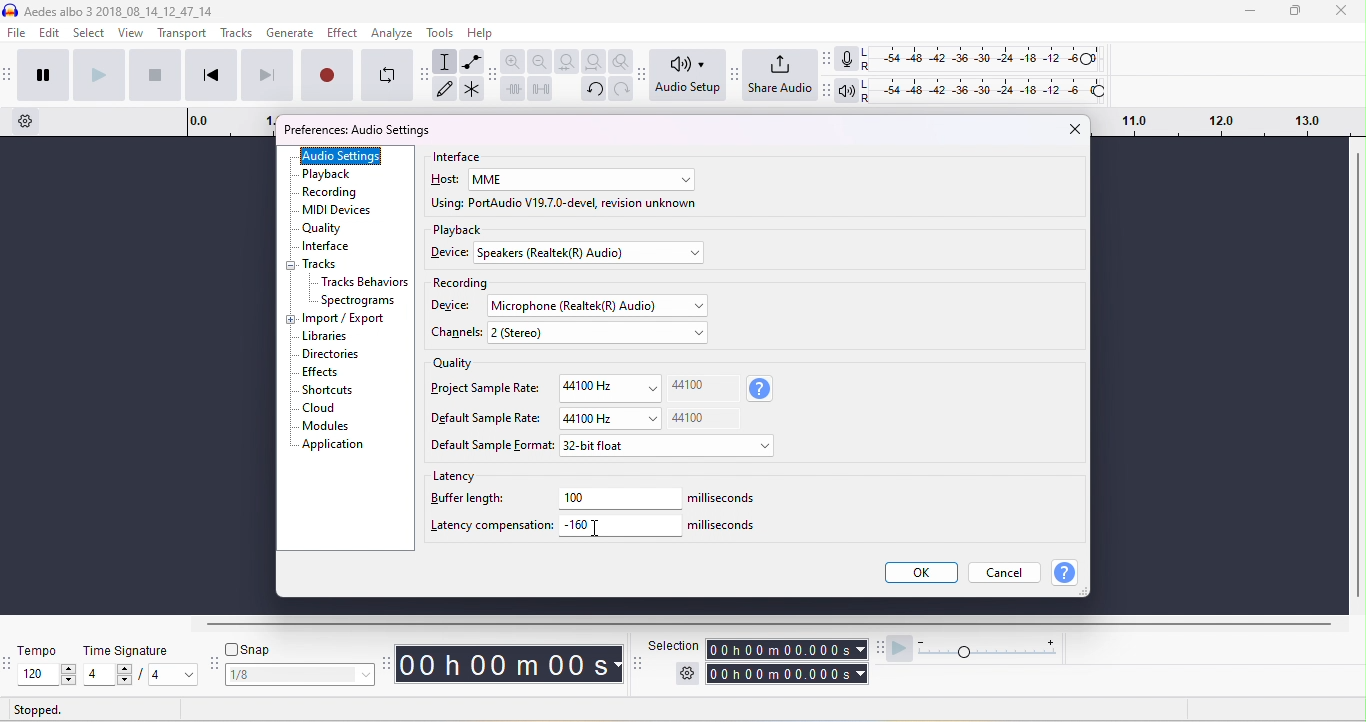 Image resolution: width=1366 pixels, height=722 pixels. Describe the element at coordinates (867, 52) in the screenshot. I see `L` at that location.